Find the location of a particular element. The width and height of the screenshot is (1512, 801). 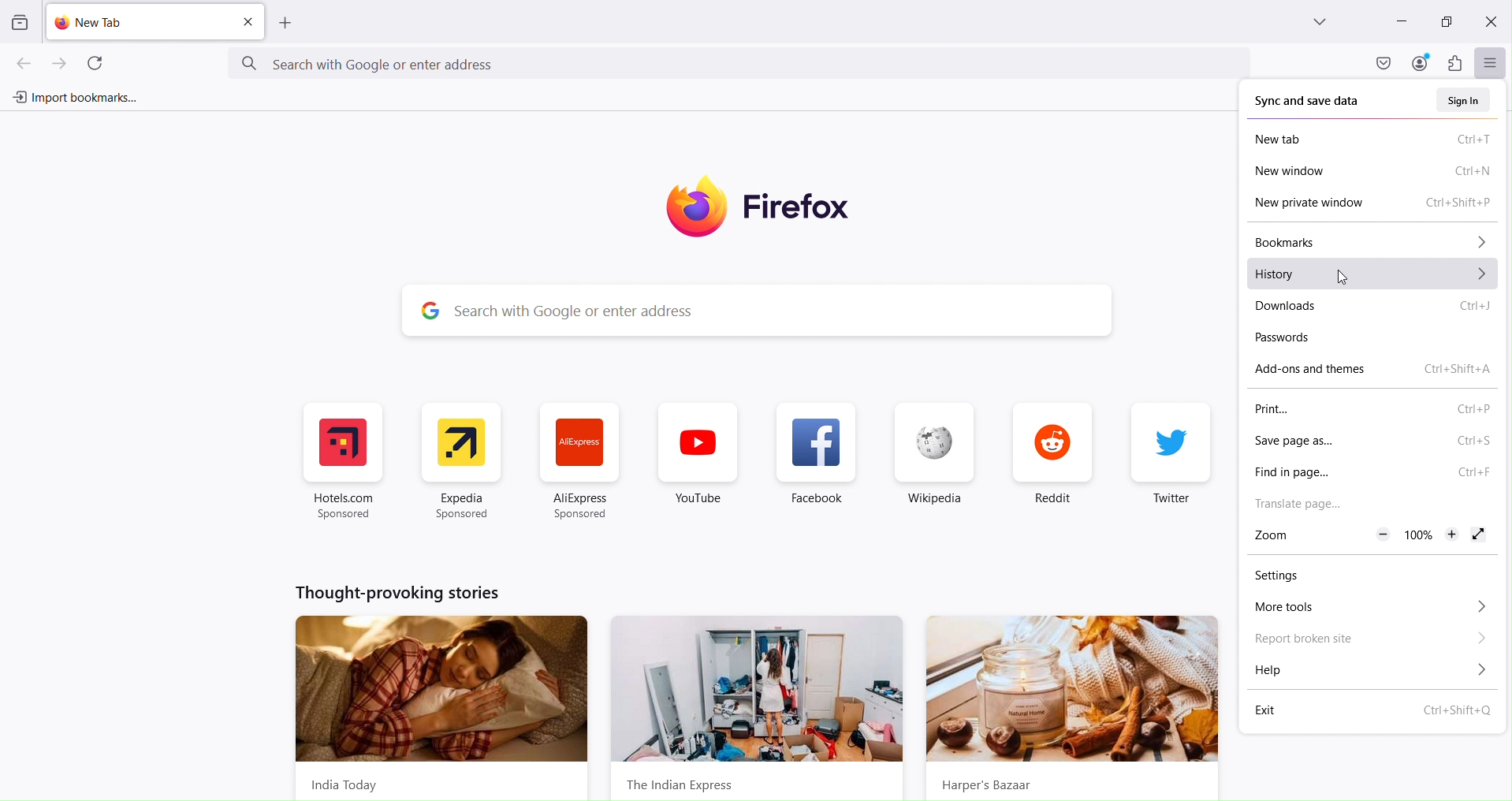

Display the window in full screen is located at coordinates (1478, 535).